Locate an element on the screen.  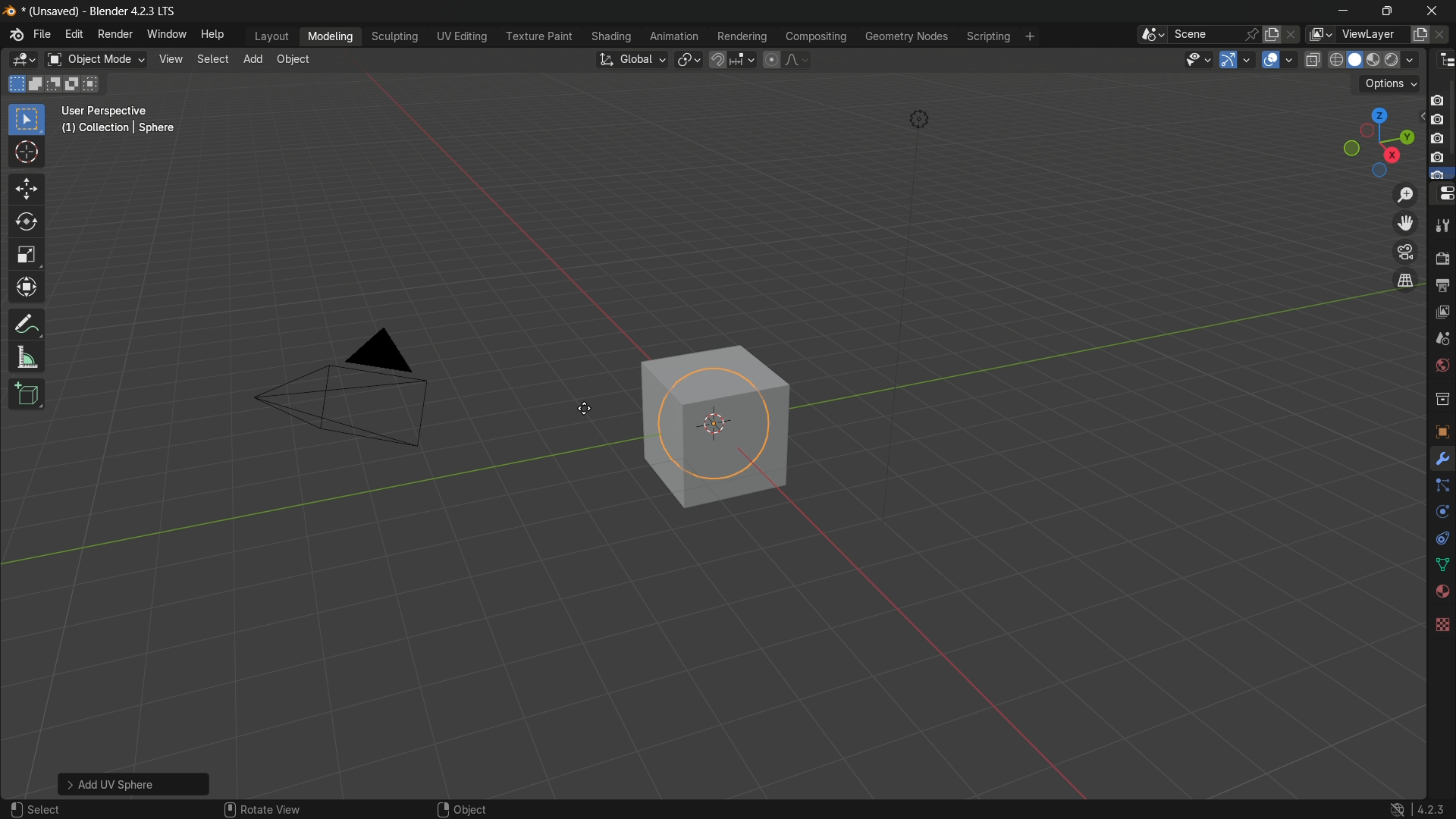
solid display is located at coordinates (1355, 59).